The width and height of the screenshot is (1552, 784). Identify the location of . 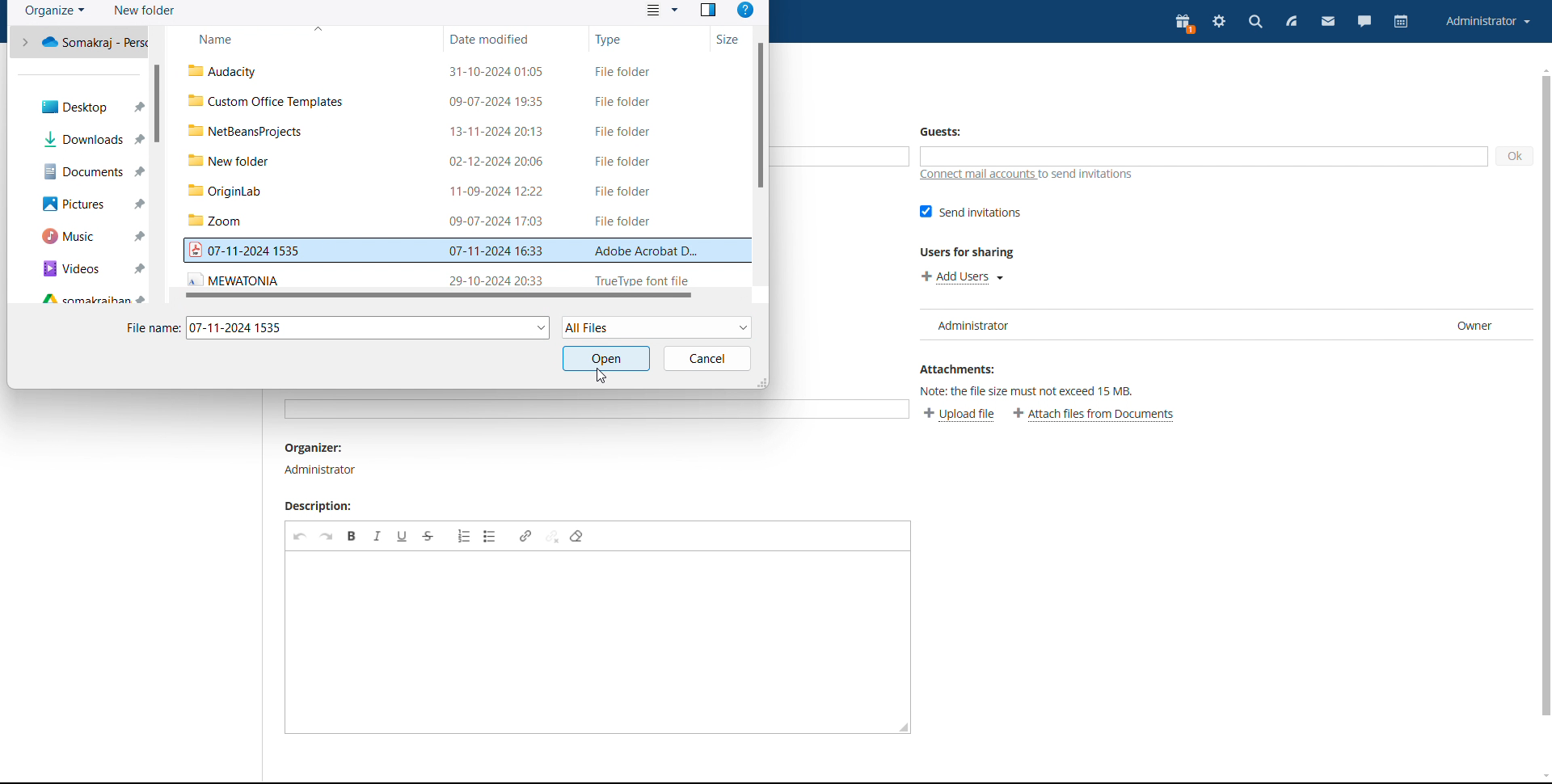
(445, 225).